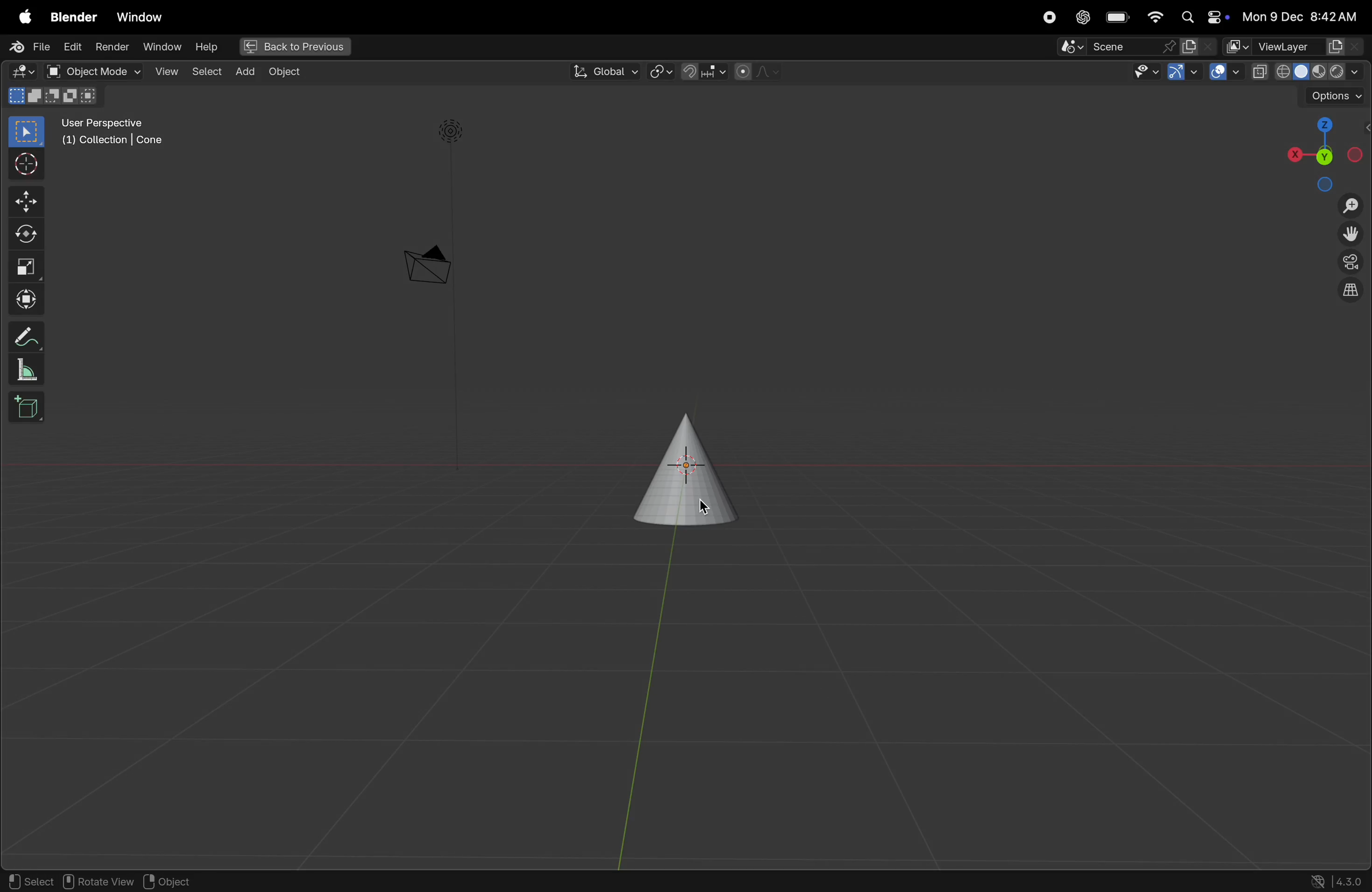 The height and width of the screenshot is (892, 1372). Describe the element at coordinates (96, 881) in the screenshot. I see `rotate view` at that location.